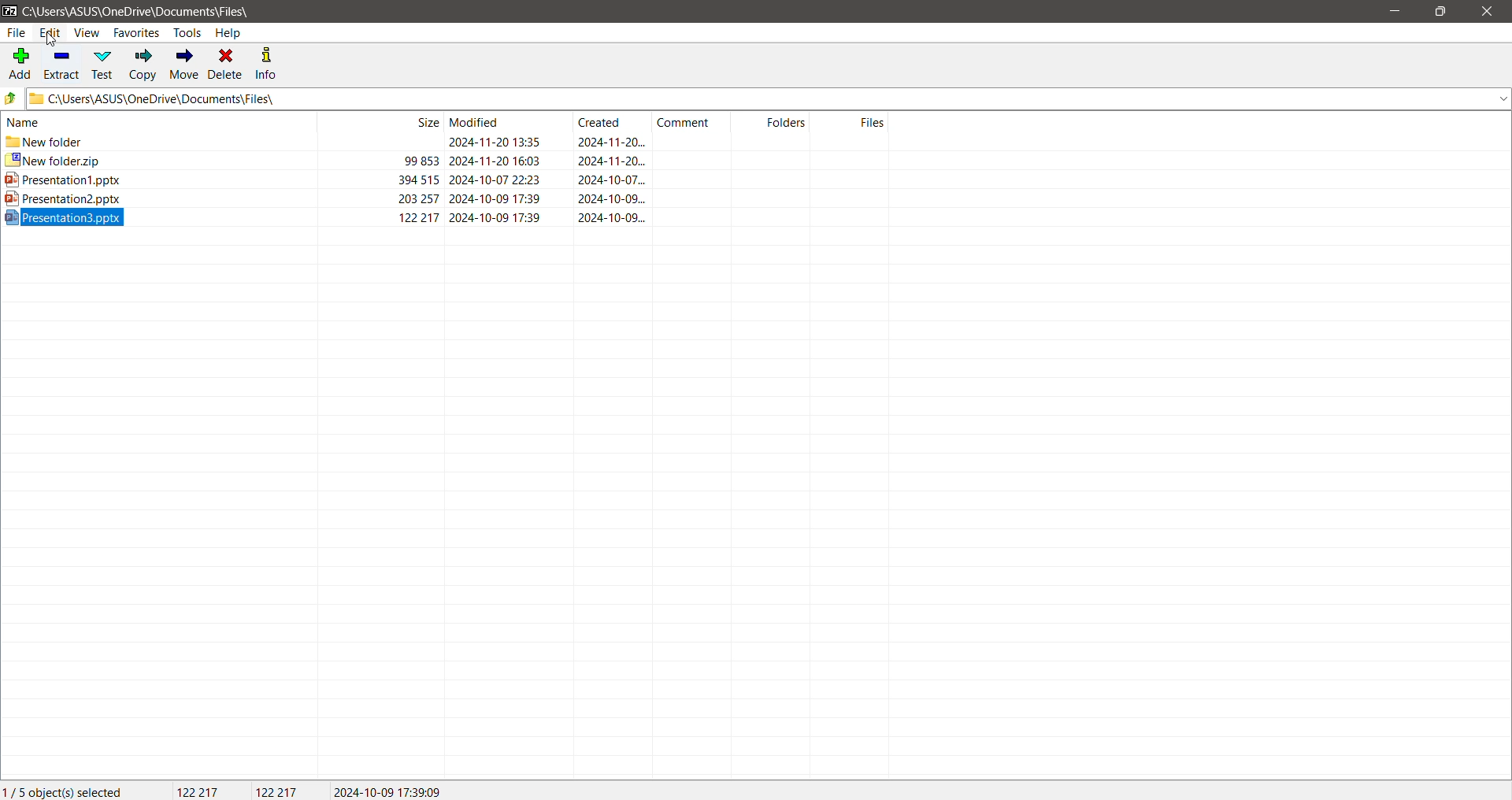 The width and height of the screenshot is (1512, 800). Describe the element at coordinates (9, 9) in the screenshot. I see `Application Logo` at that location.